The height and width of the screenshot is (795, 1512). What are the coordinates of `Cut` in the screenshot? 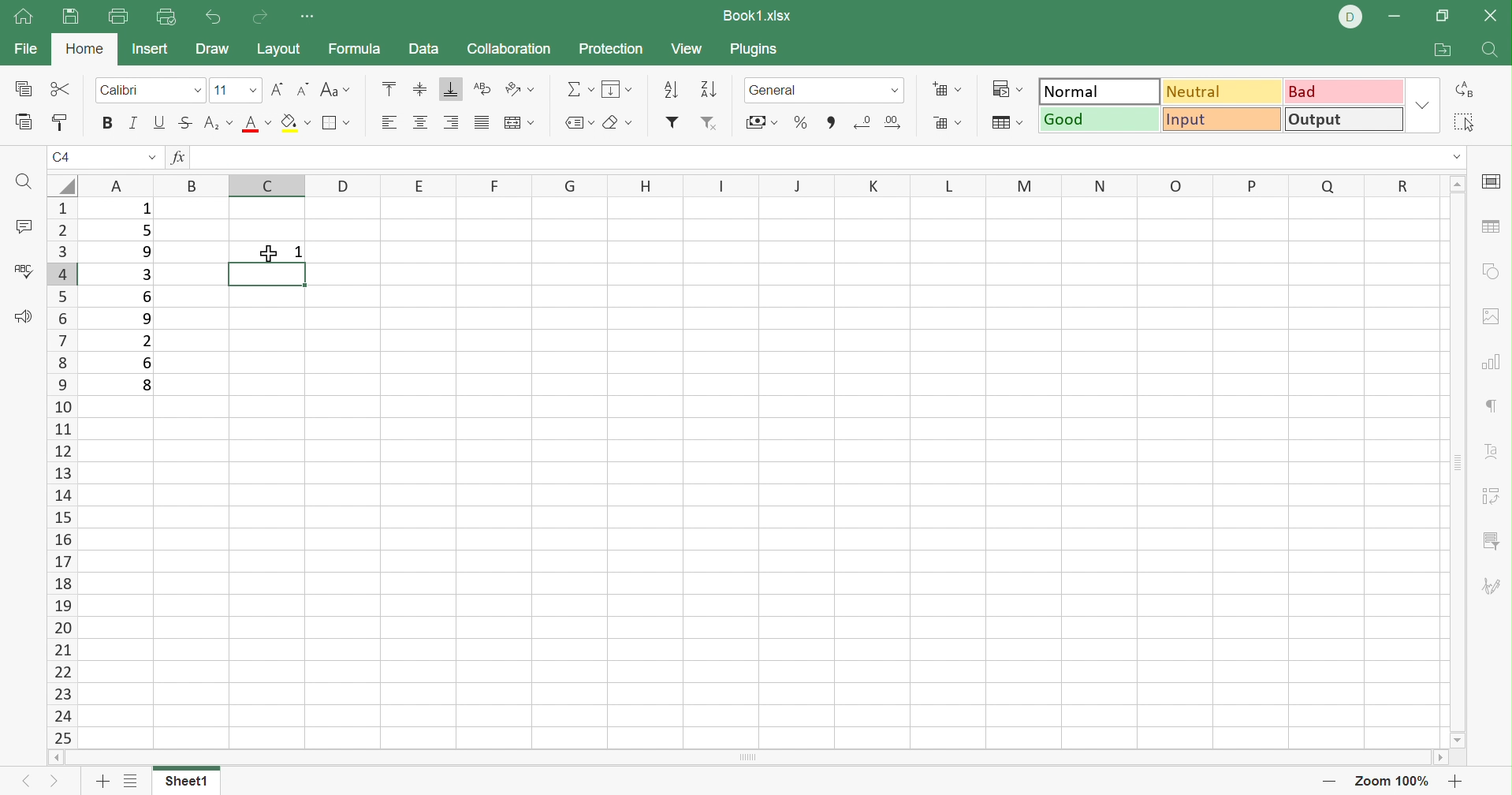 It's located at (59, 90).